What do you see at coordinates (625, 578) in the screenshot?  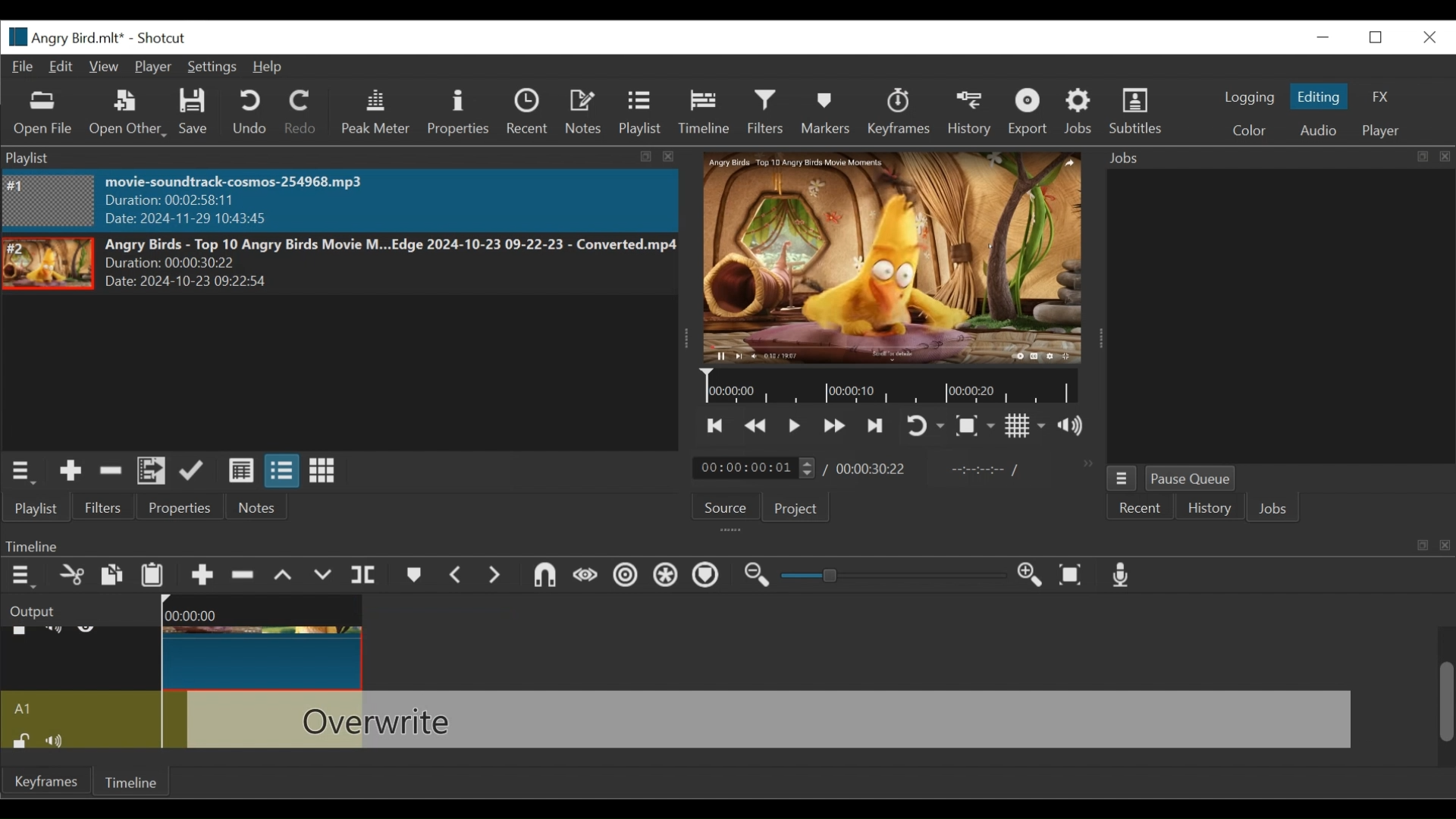 I see `Ripple` at bounding box center [625, 578].